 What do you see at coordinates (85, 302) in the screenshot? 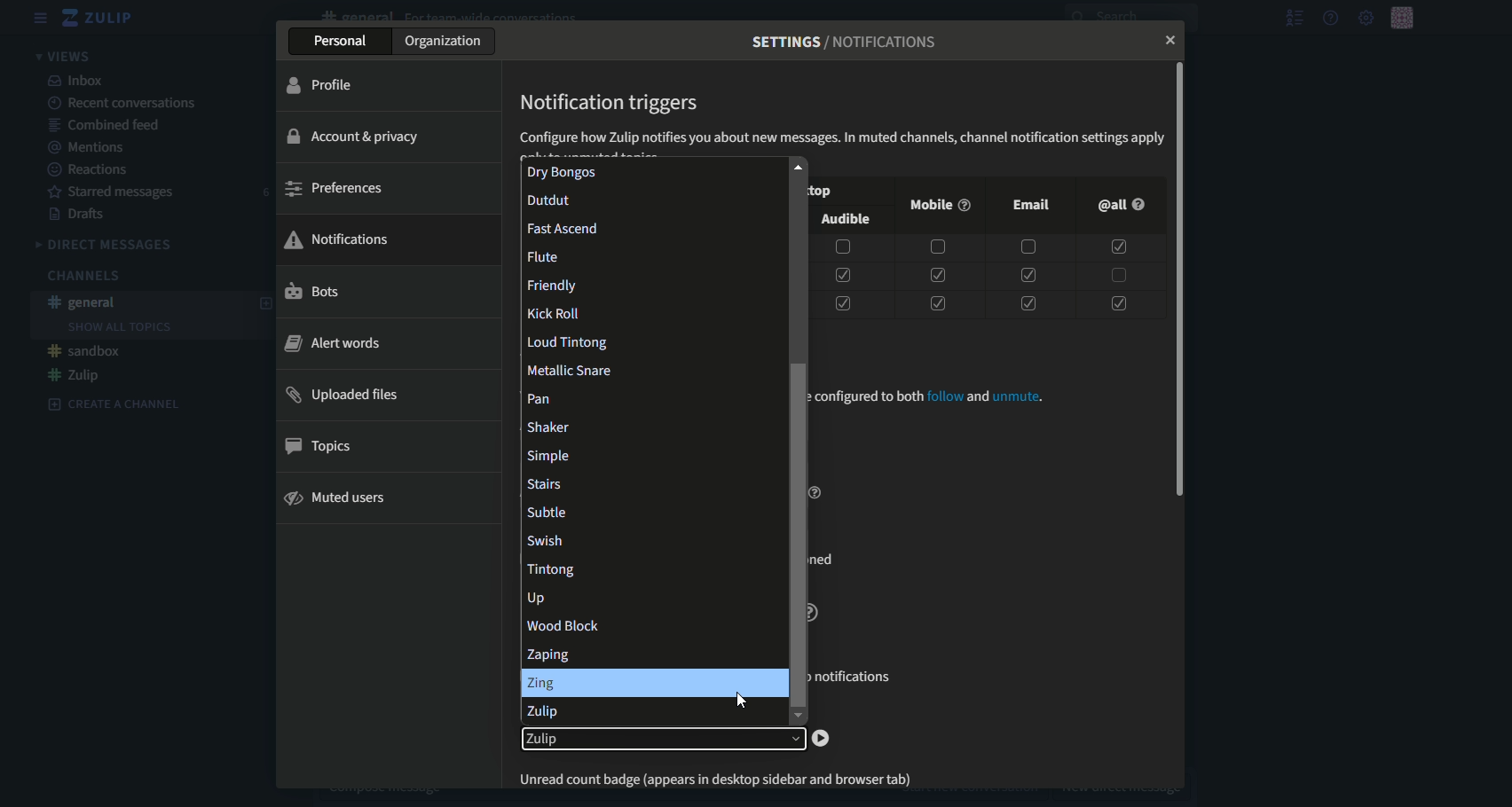
I see `#general` at bounding box center [85, 302].